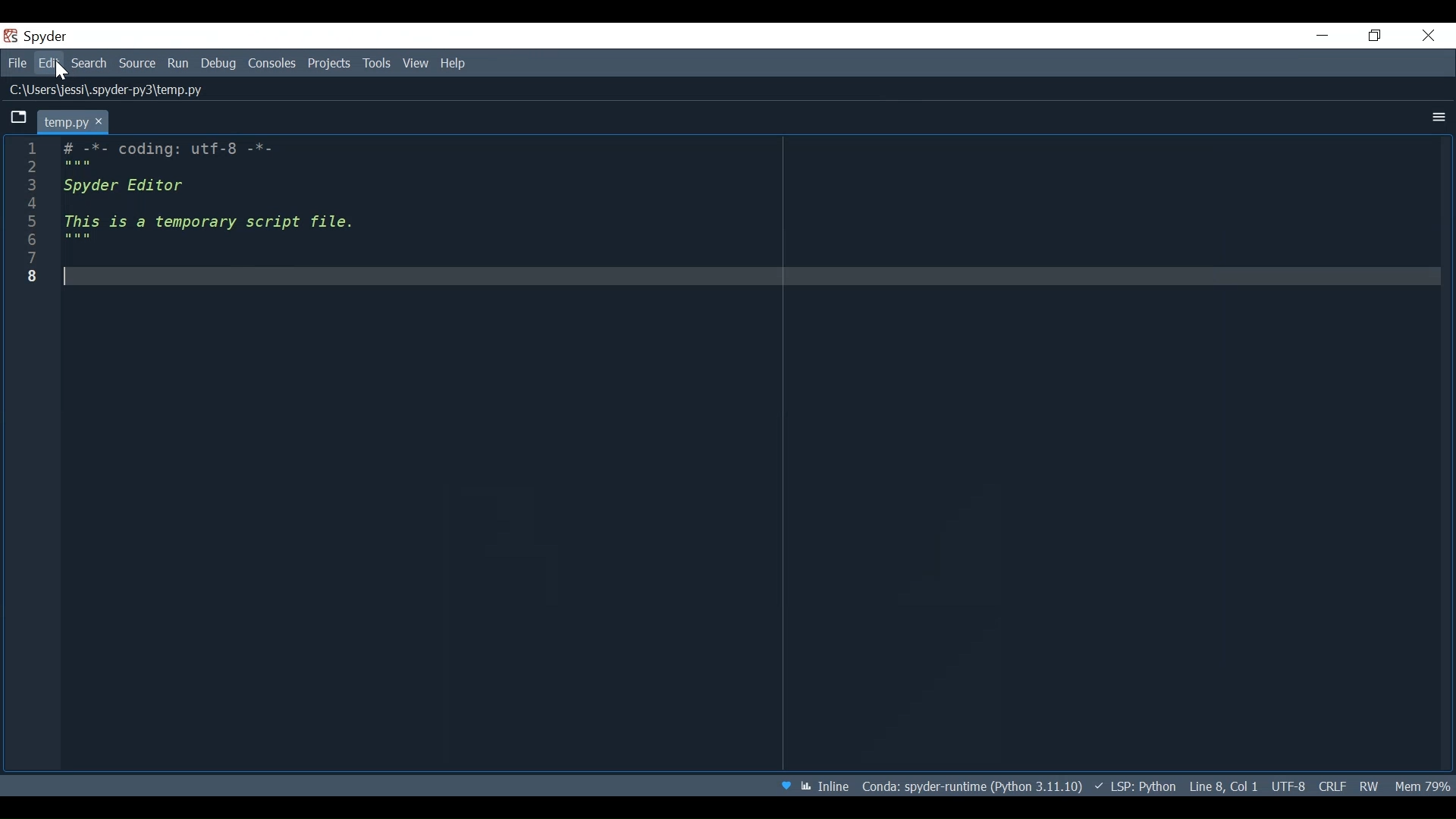 The image size is (1456, 819). What do you see at coordinates (110, 91) in the screenshot?
I see `File Path` at bounding box center [110, 91].